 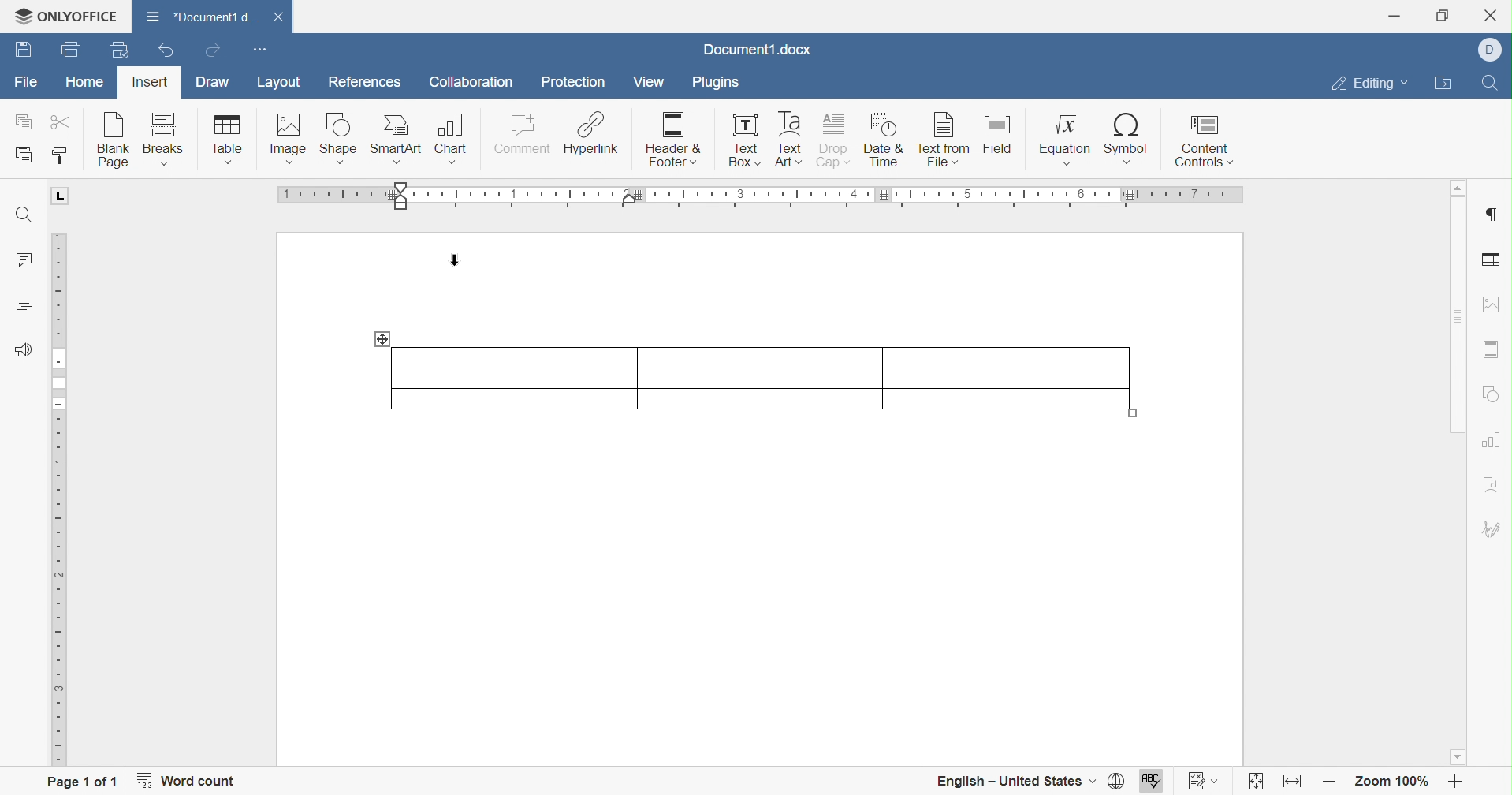 I want to click on Plugins, so click(x=721, y=80).